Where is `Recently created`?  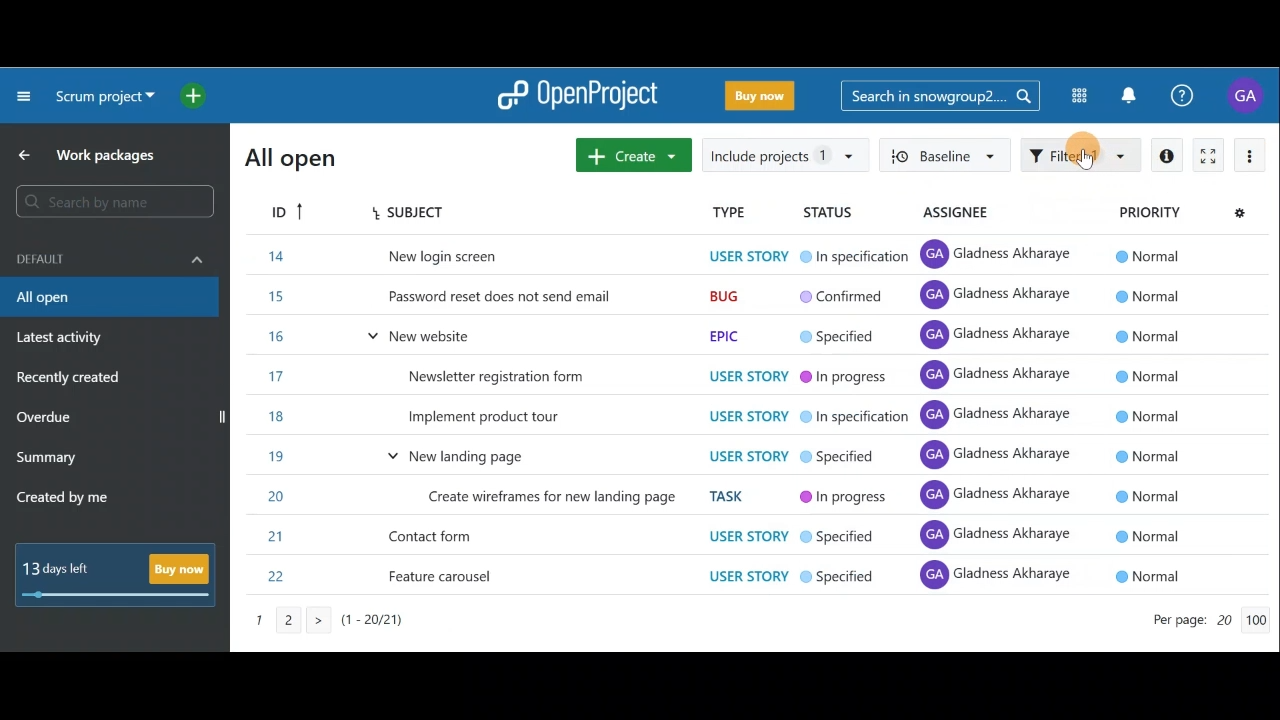
Recently created is located at coordinates (71, 380).